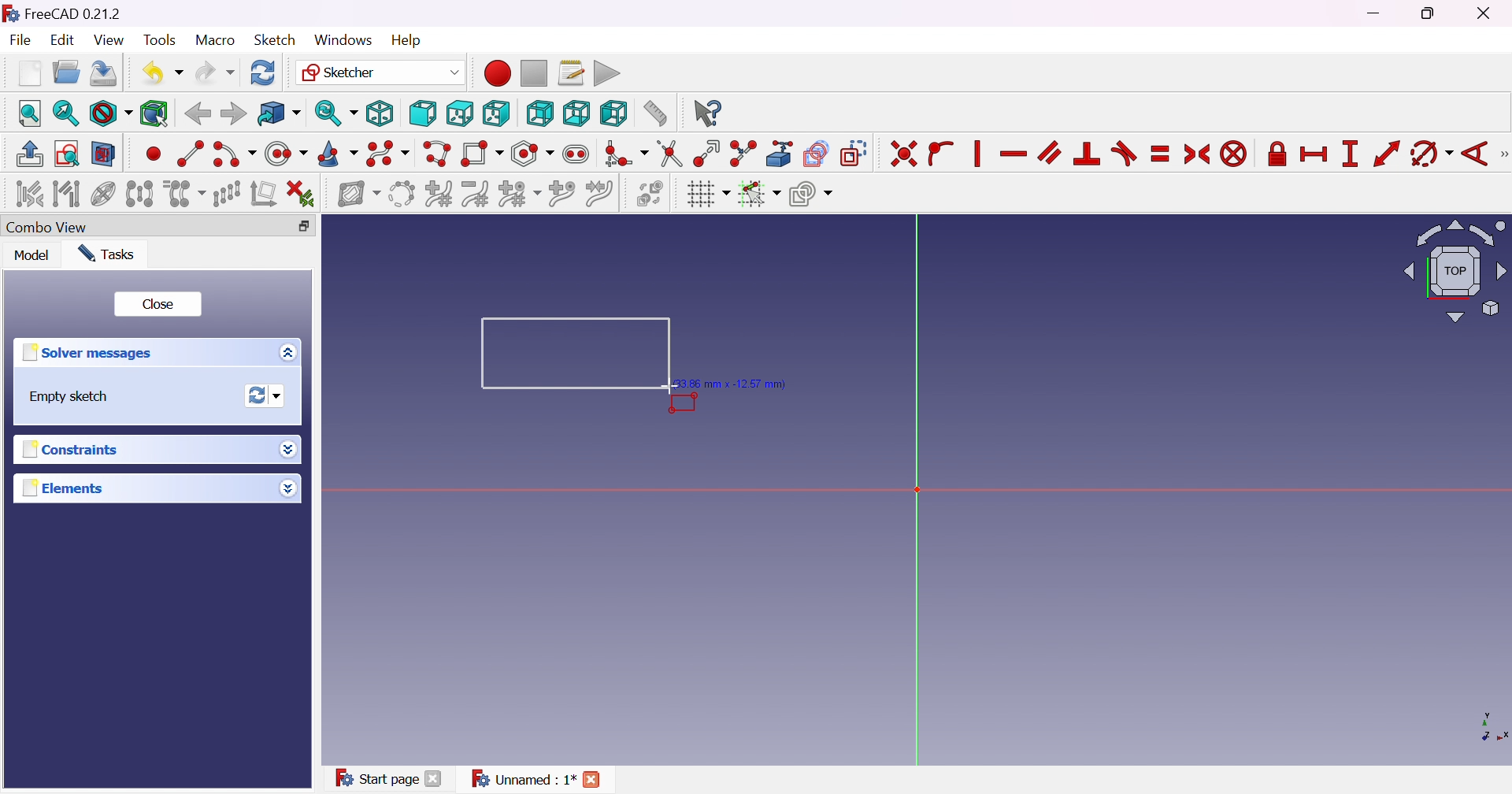 The image size is (1512, 794). What do you see at coordinates (758, 194) in the screenshot?
I see `Toggle snap` at bounding box center [758, 194].